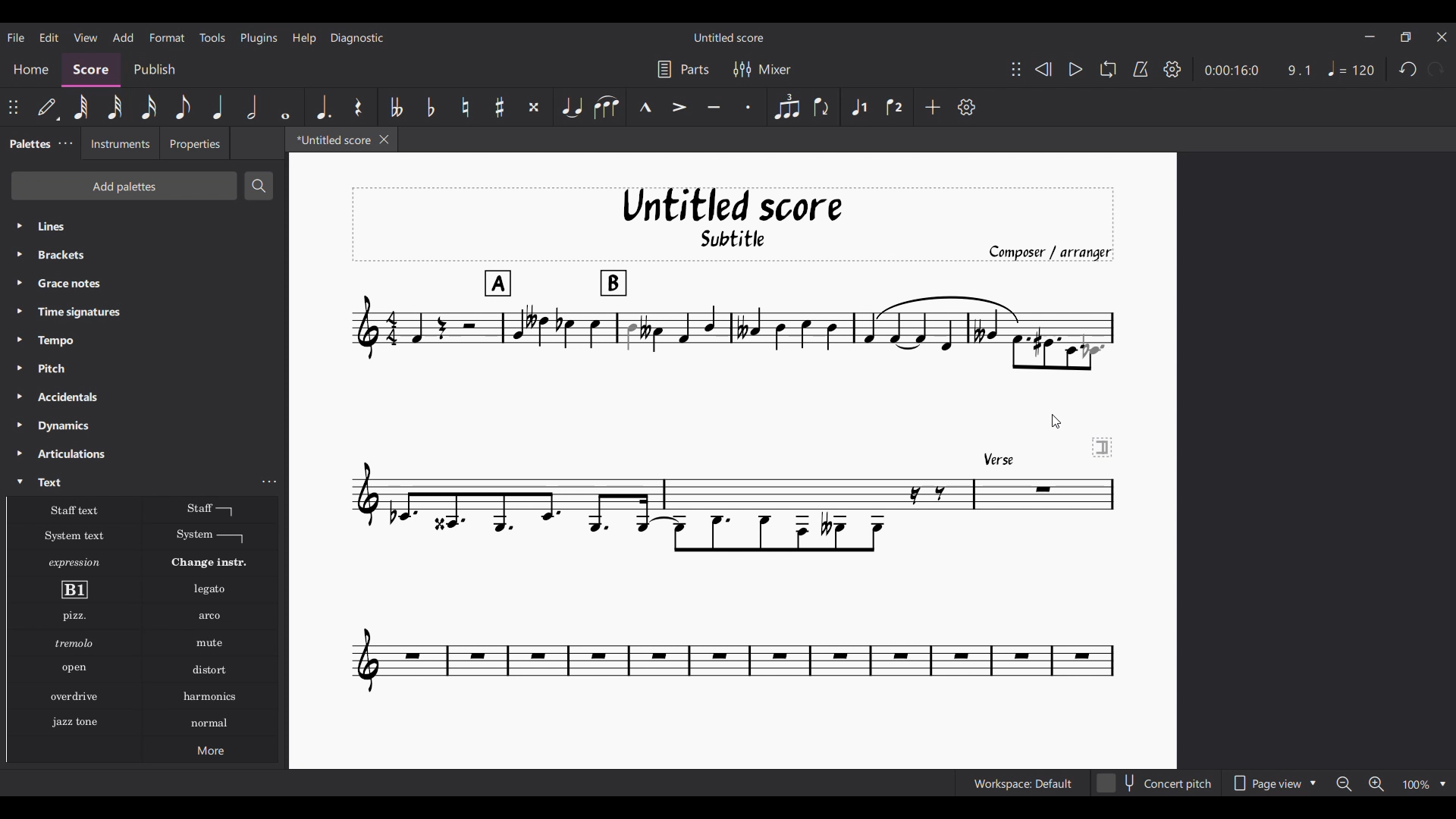 The width and height of the screenshot is (1456, 819). Describe the element at coordinates (822, 106) in the screenshot. I see `Flip direction` at that location.